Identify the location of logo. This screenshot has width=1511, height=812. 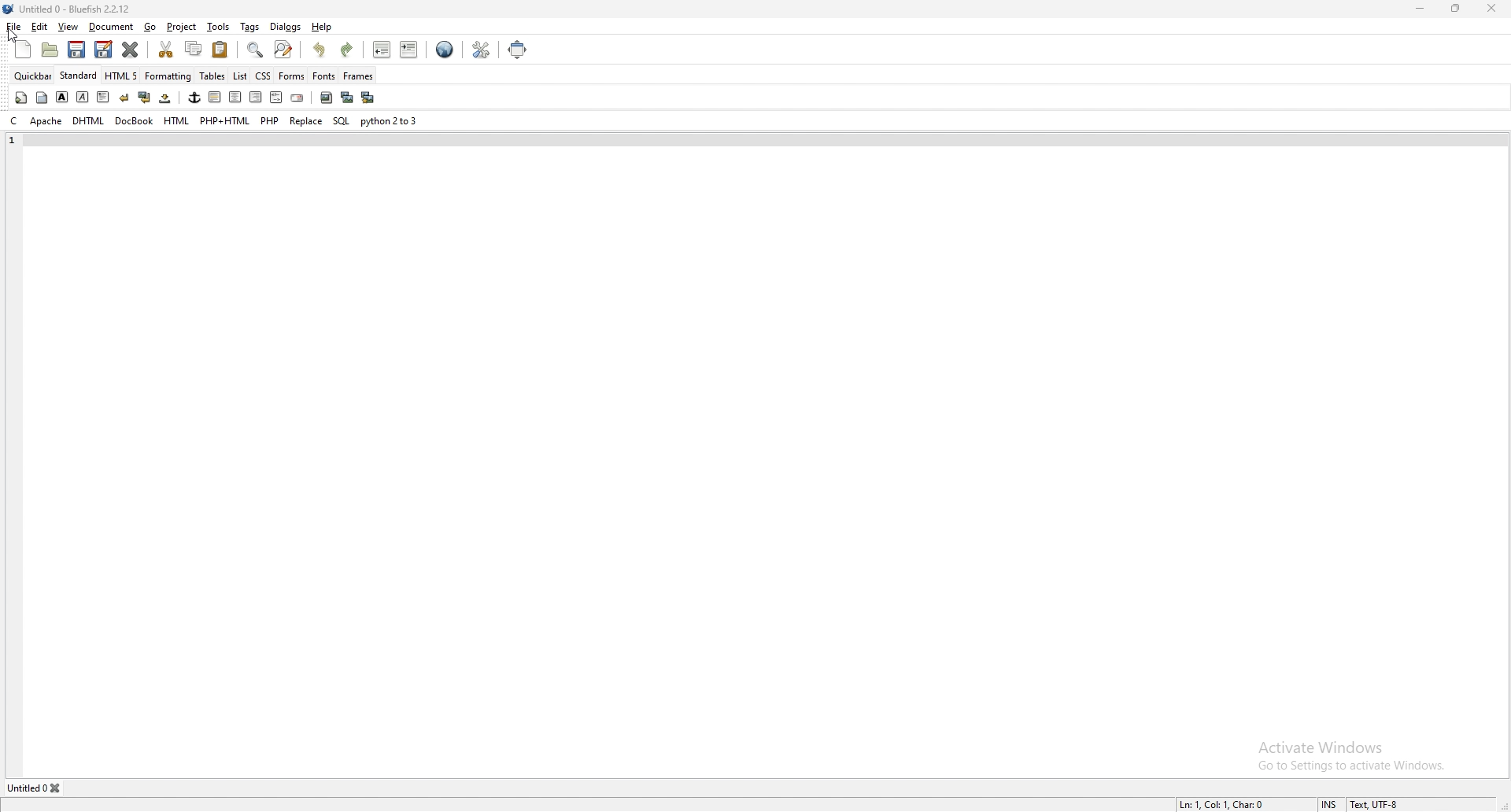
(11, 9).